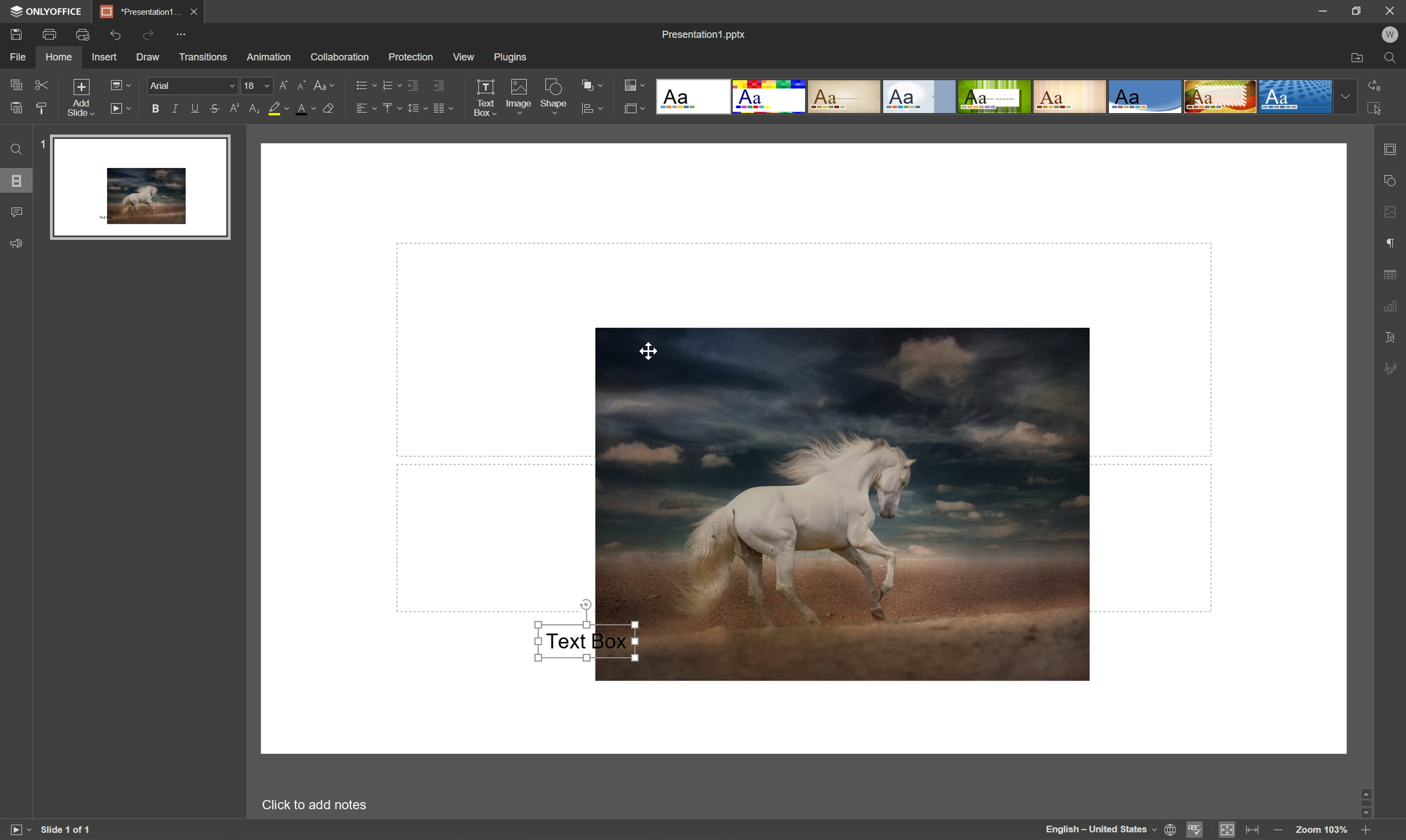 This screenshot has height=840, width=1406. Describe the element at coordinates (151, 58) in the screenshot. I see `Draw` at that location.